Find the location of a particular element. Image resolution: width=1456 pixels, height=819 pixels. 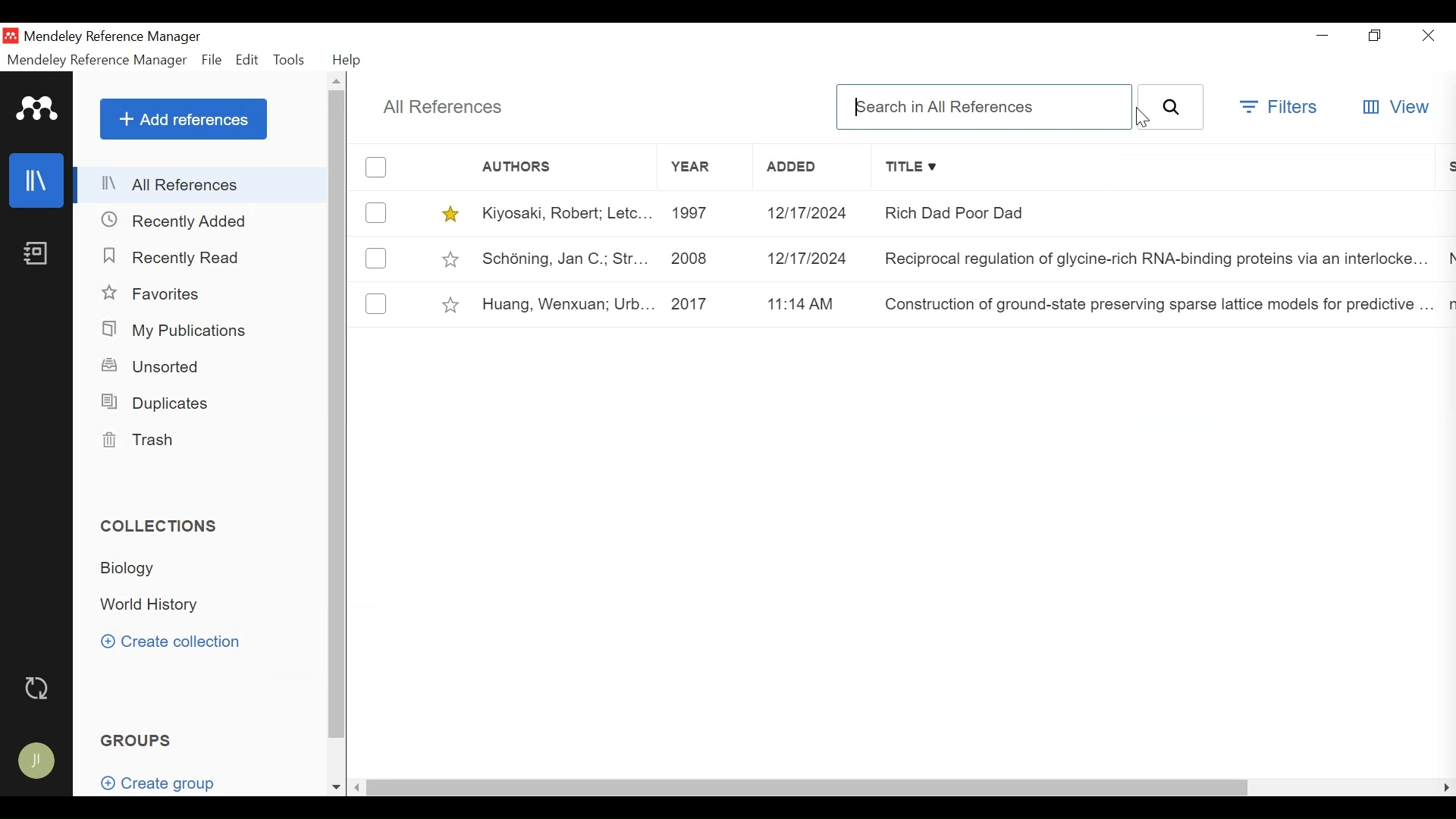

Groups is located at coordinates (138, 739).